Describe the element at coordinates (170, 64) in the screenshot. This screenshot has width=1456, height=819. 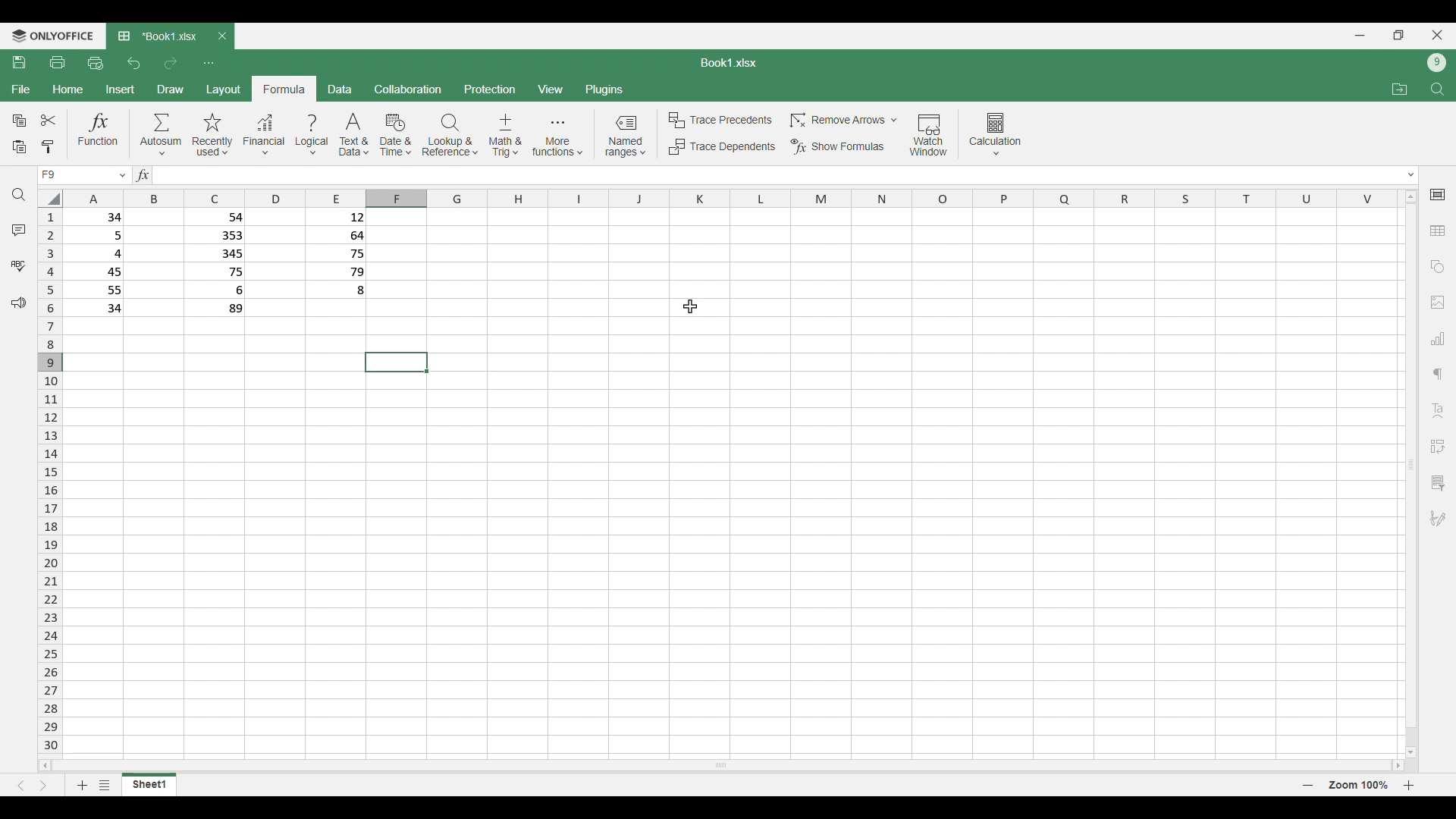
I see `Redo` at that location.